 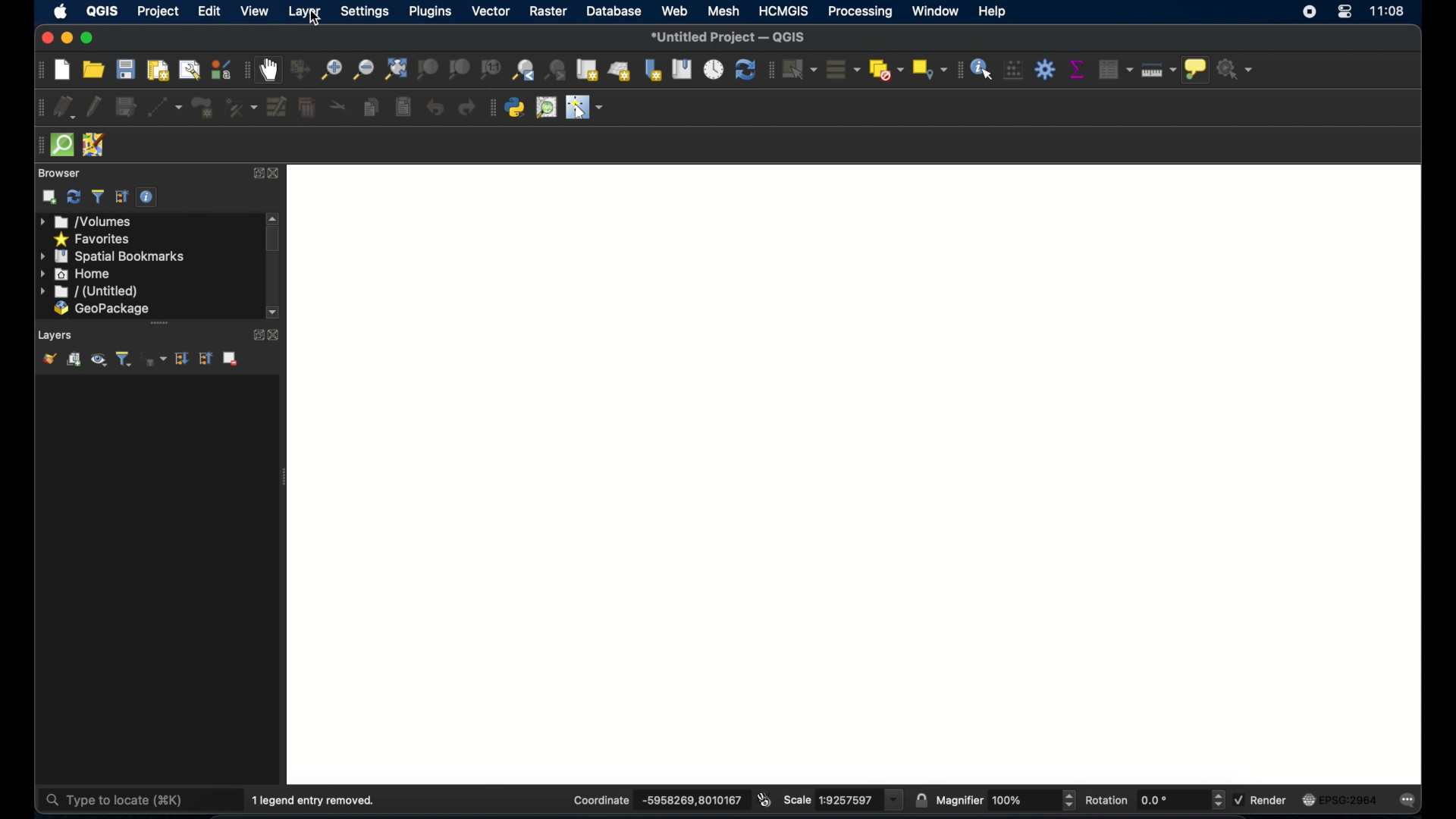 I want to click on save layer edits, so click(x=125, y=105).